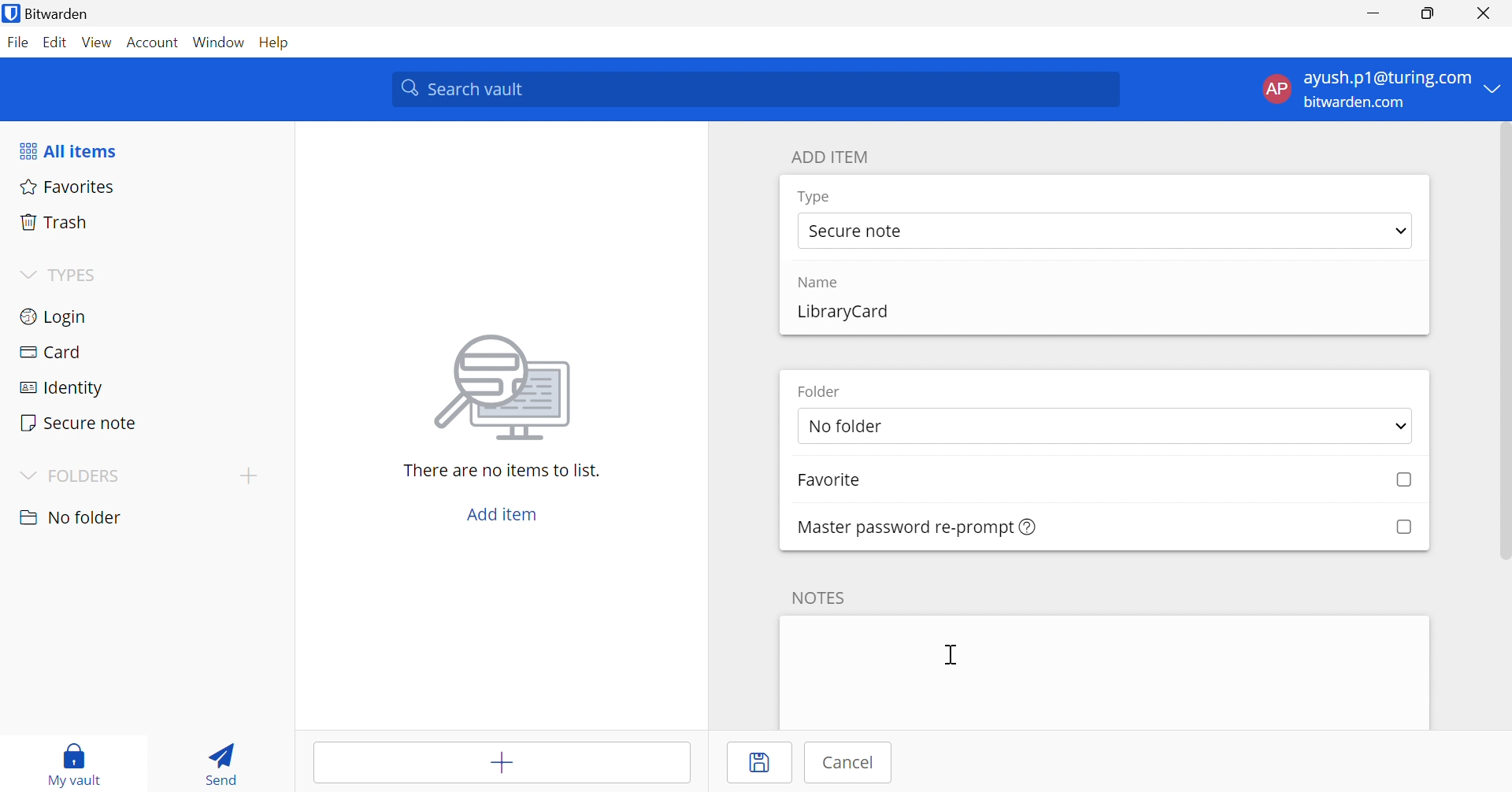 The width and height of the screenshot is (1512, 792). I want to click on Folder, so click(819, 393).